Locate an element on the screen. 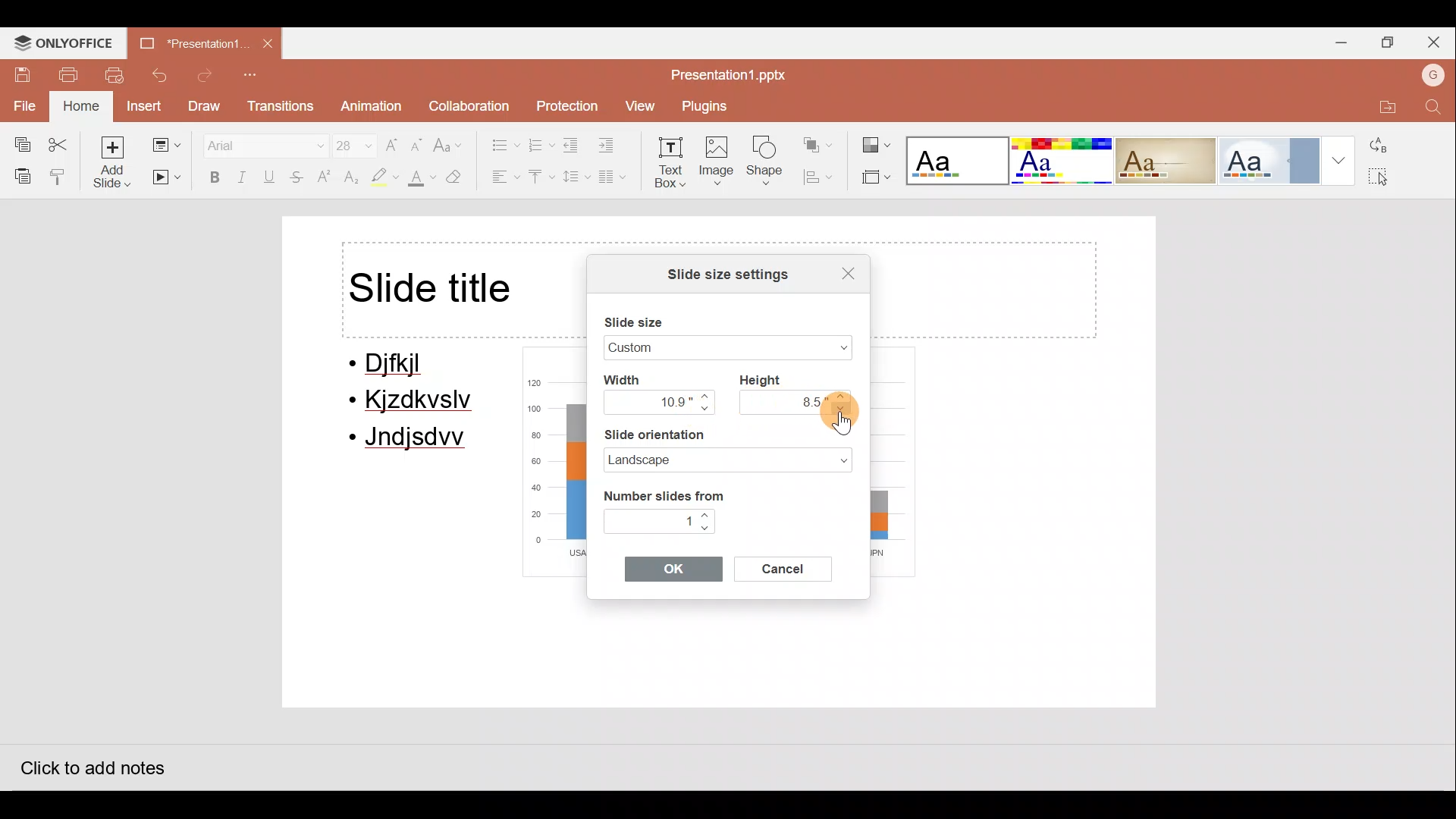  Navigate up is located at coordinates (844, 396).